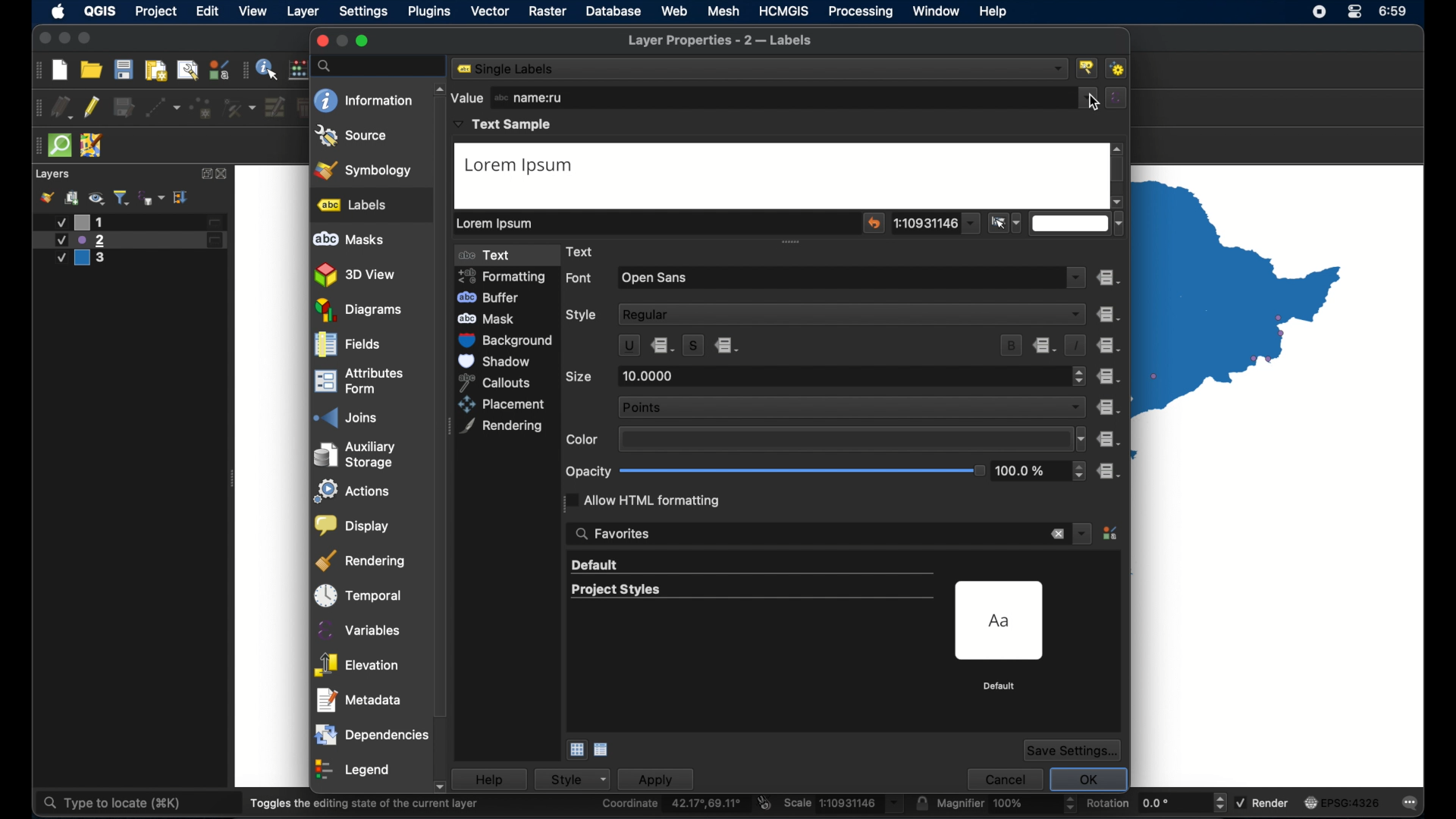 Image resolution: width=1456 pixels, height=819 pixels. I want to click on style manager, so click(1112, 535).